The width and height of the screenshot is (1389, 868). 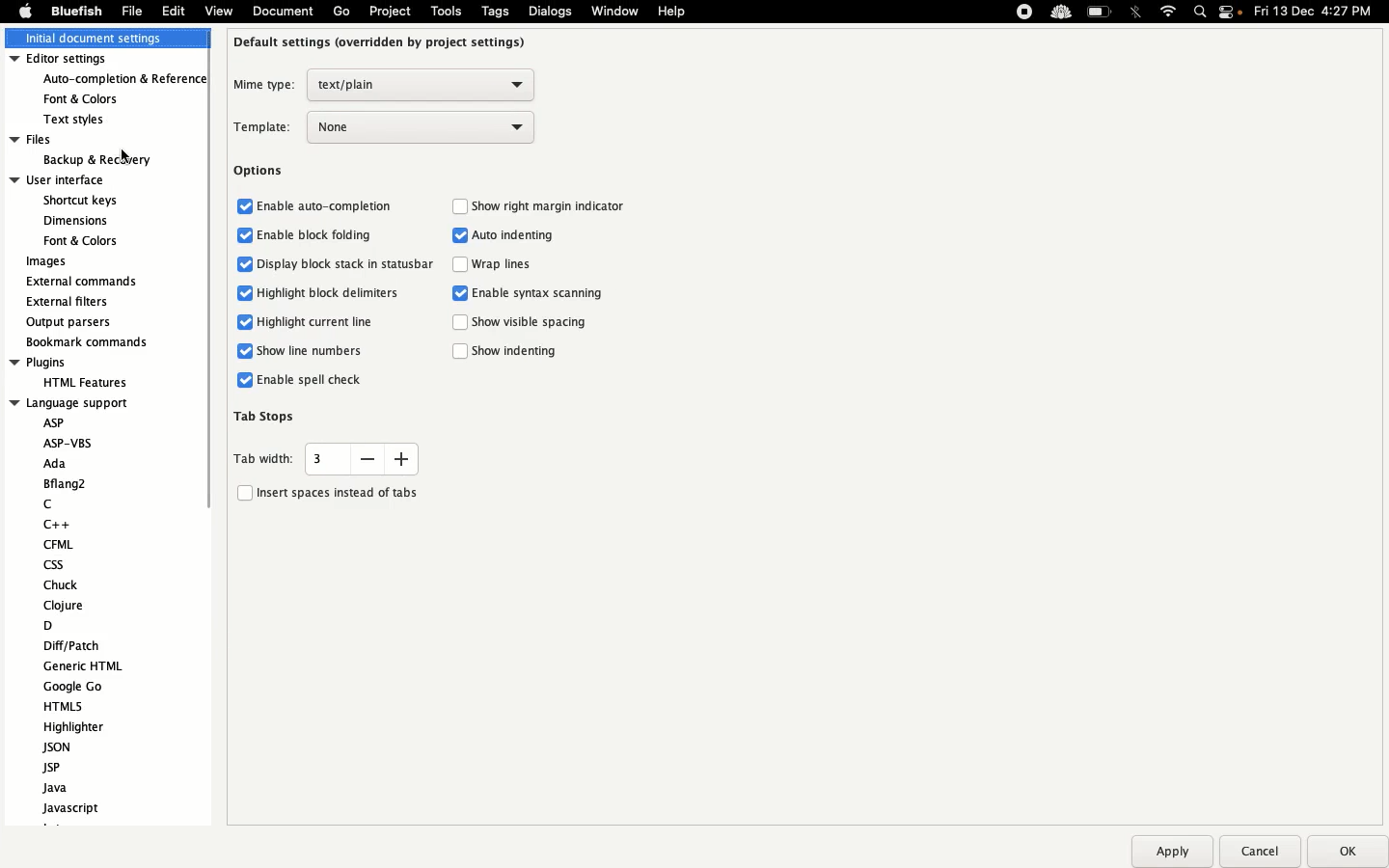 I want to click on Bluefish, so click(x=74, y=13).